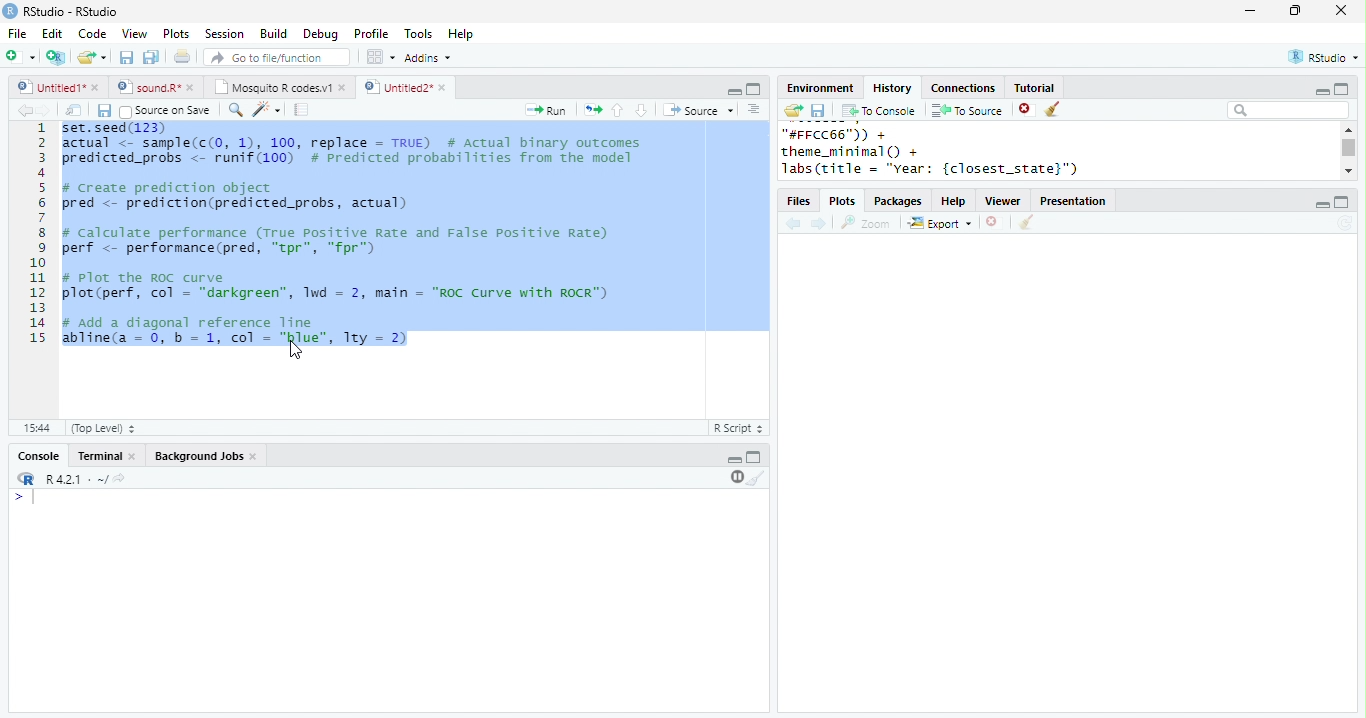 Image resolution: width=1366 pixels, height=718 pixels. Describe the element at coordinates (820, 225) in the screenshot. I see `forward` at that location.